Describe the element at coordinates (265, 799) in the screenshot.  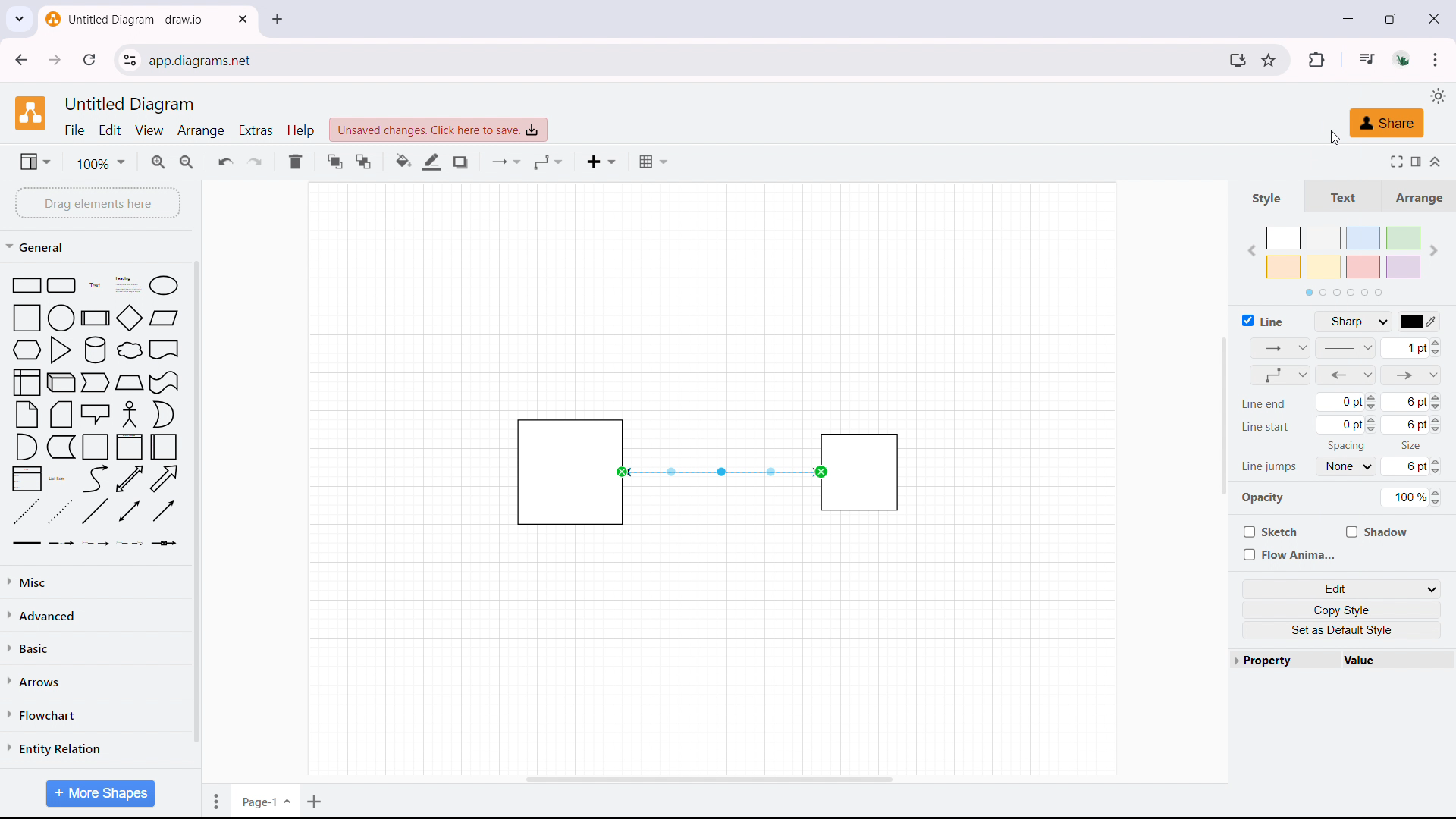
I see `current page` at that location.